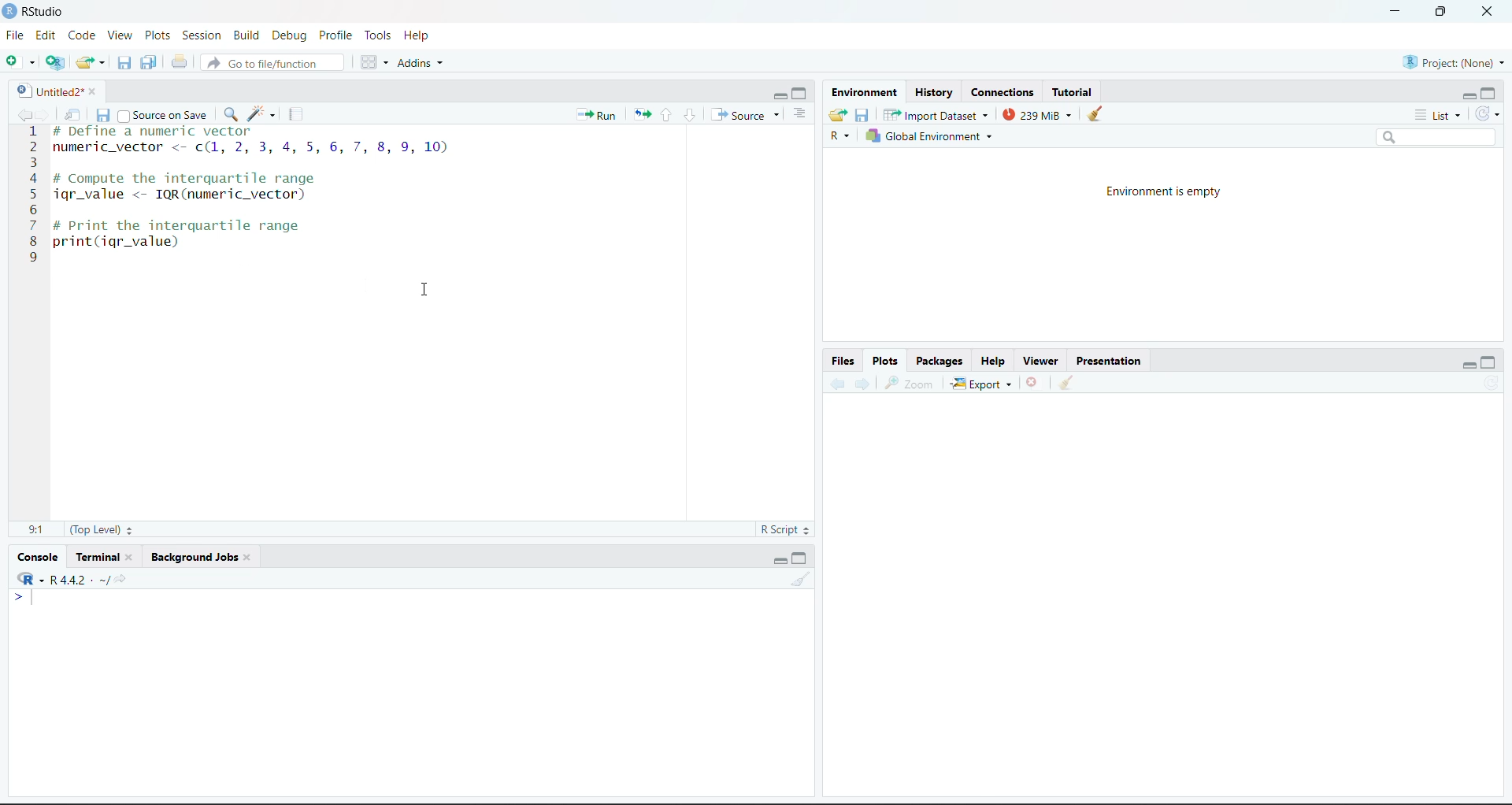 The width and height of the screenshot is (1512, 805). What do you see at coordinates (50, 35) in the screenshot?
I see `Edit` at bounding box center [50, 35].